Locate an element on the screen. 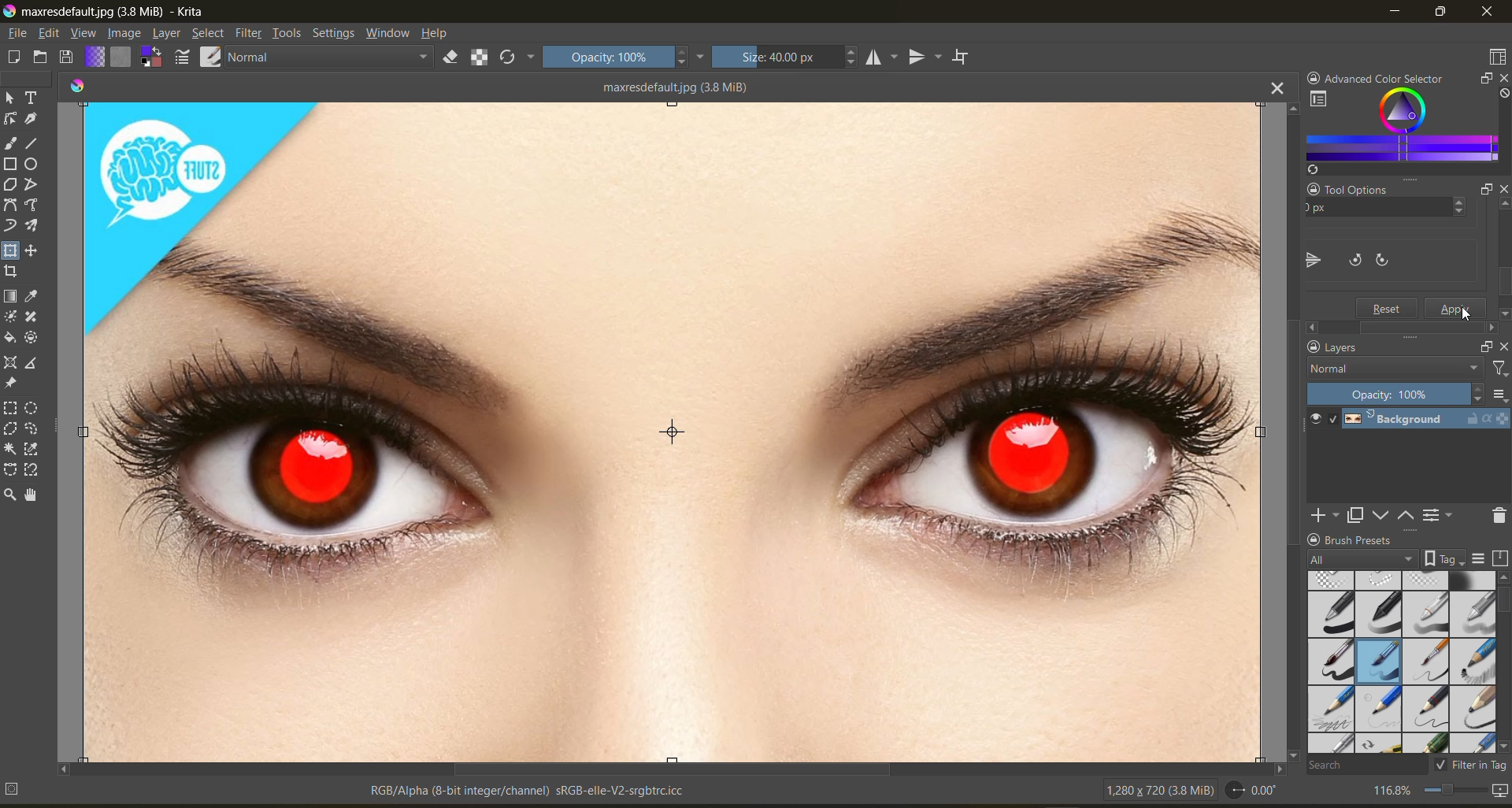 The height and width of the screenshot is (808, 1512). add is located at coordinates (1322, 515).